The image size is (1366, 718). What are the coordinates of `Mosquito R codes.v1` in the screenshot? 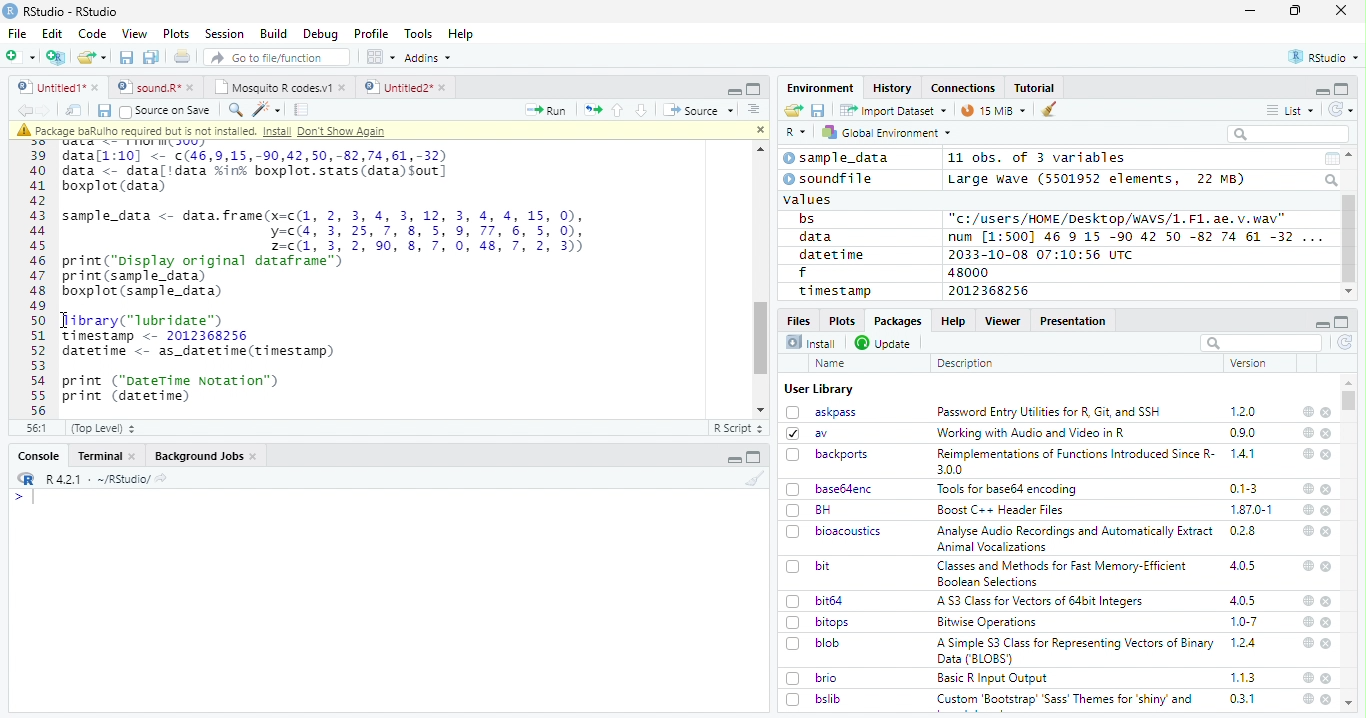 It's located at (279, 87).